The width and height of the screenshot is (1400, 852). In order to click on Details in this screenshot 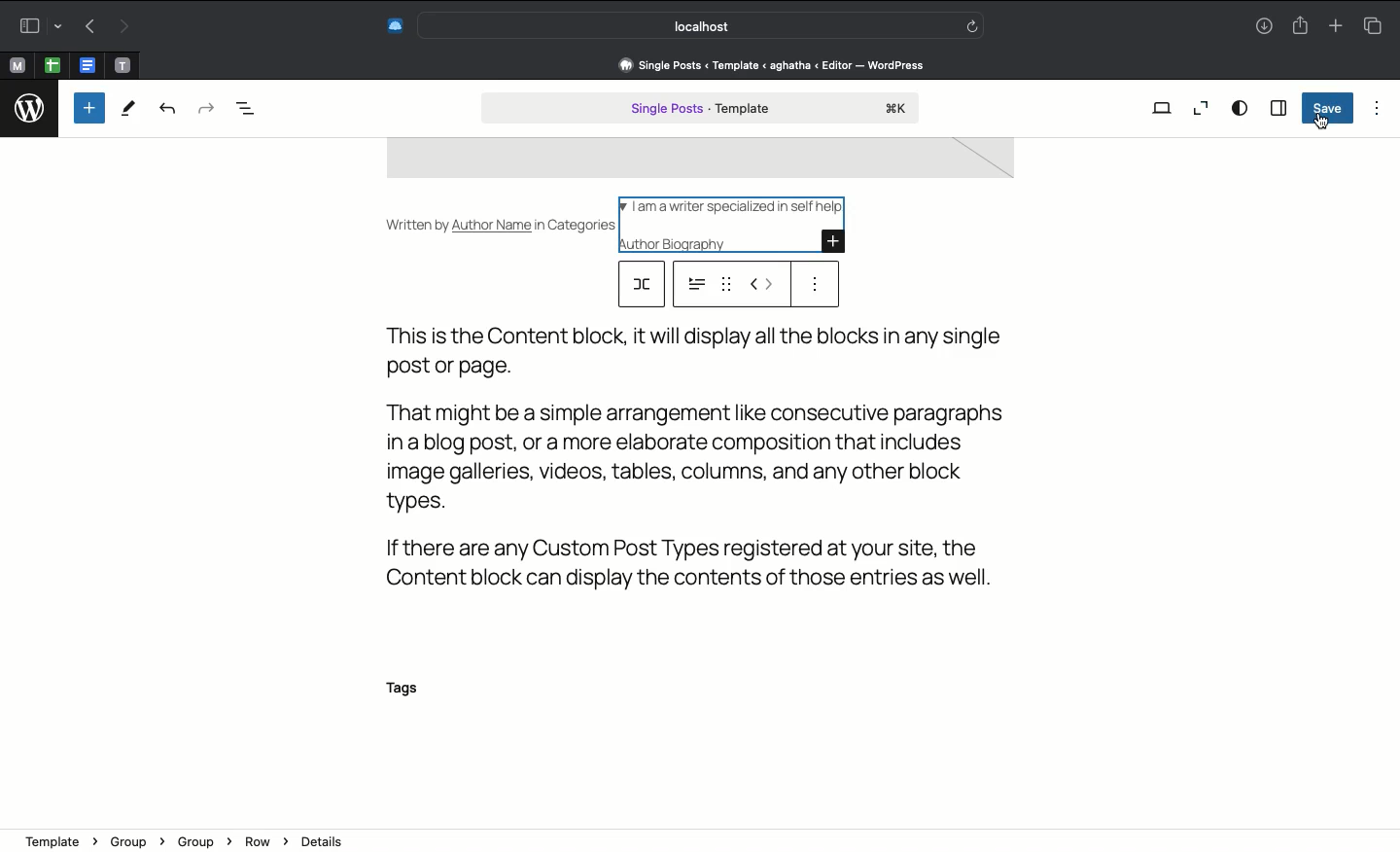, I will do `click(330, 841)`.